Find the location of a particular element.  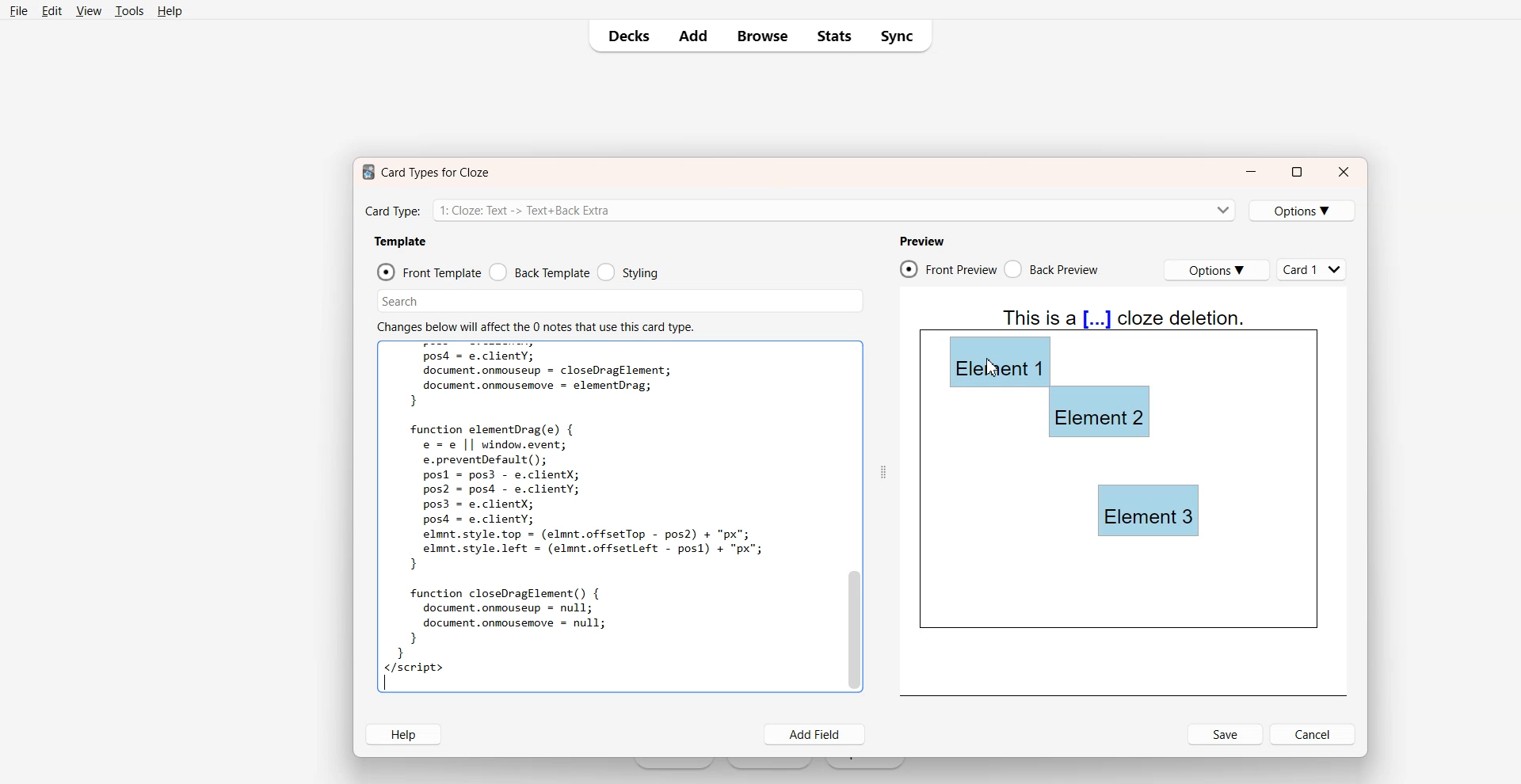

Text is located at coordinates (581, 516).